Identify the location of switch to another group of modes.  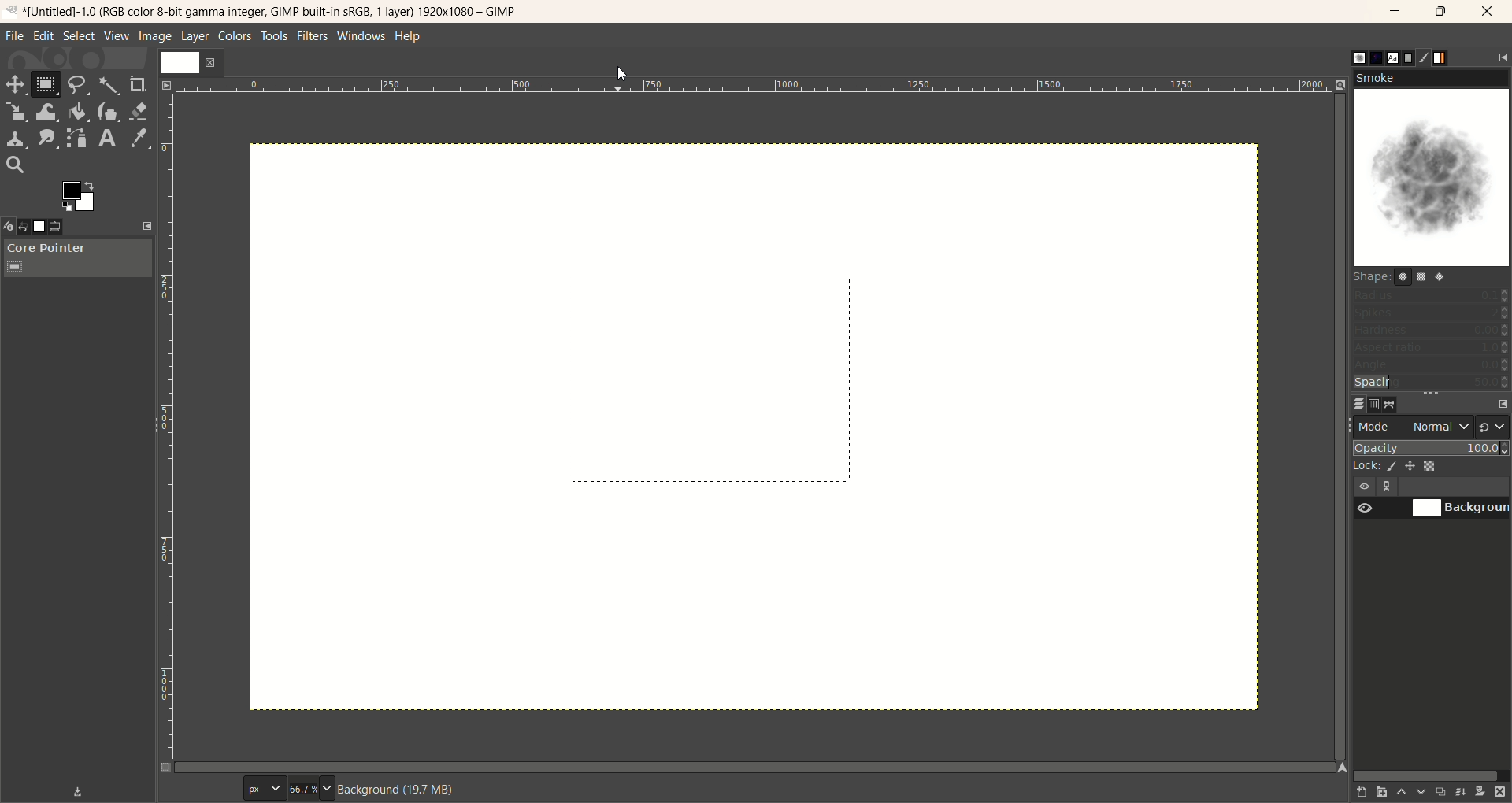
(1492, 426).